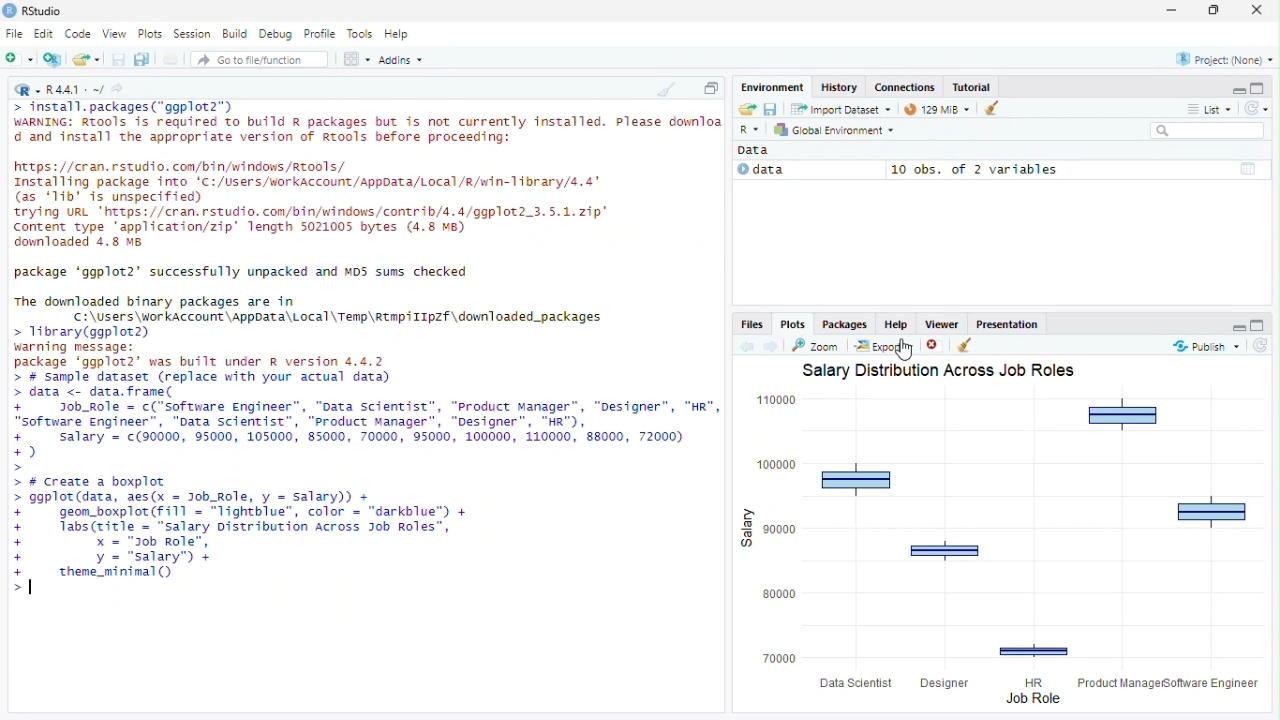 The image size is (1280, 720). I want to click on Clear objects from the workspace, so click(994, 109).